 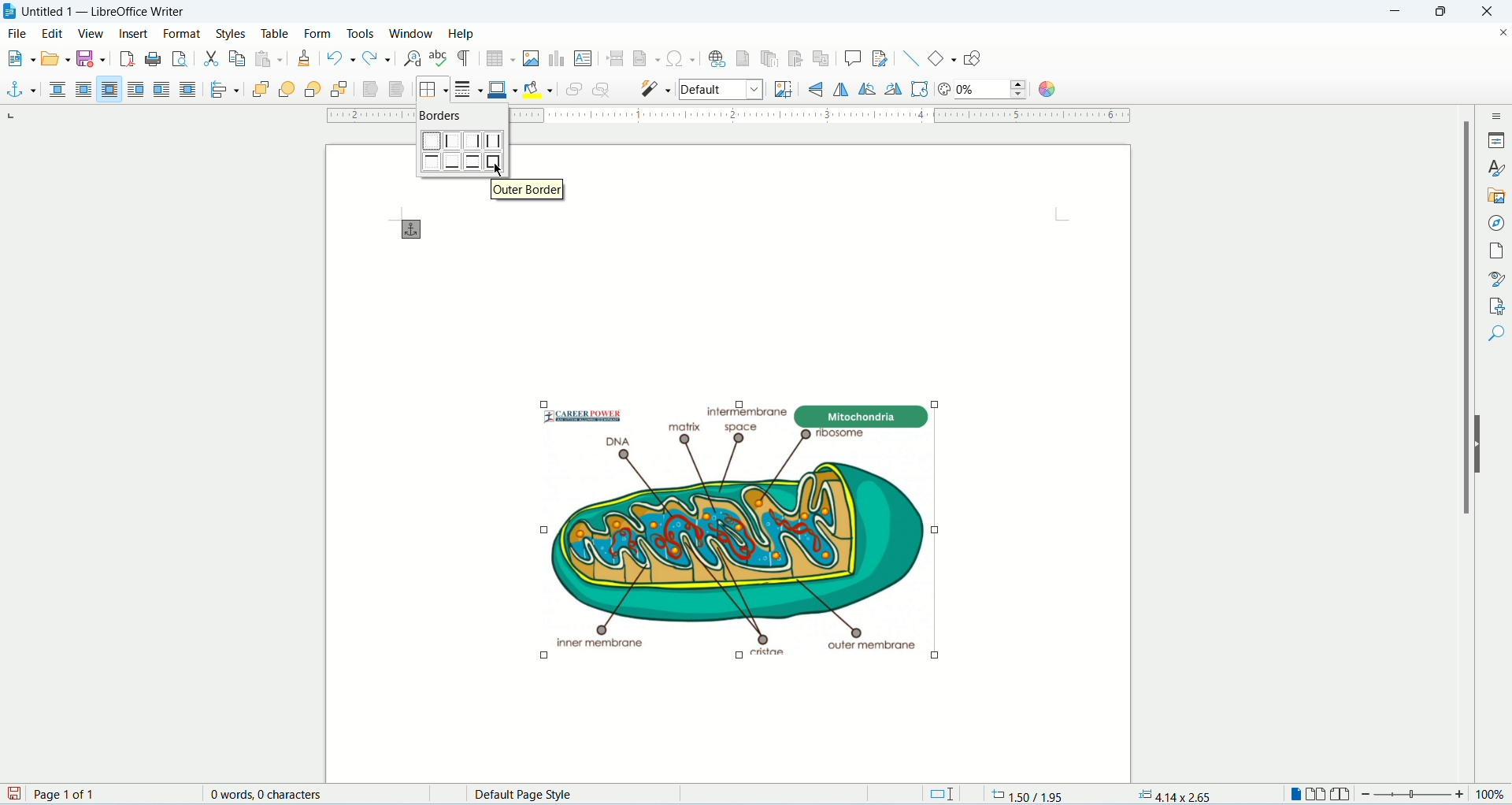 What do you see at coordinates (321, 32) in the screenshot?
I see `form` at bounding box center [321, 32].